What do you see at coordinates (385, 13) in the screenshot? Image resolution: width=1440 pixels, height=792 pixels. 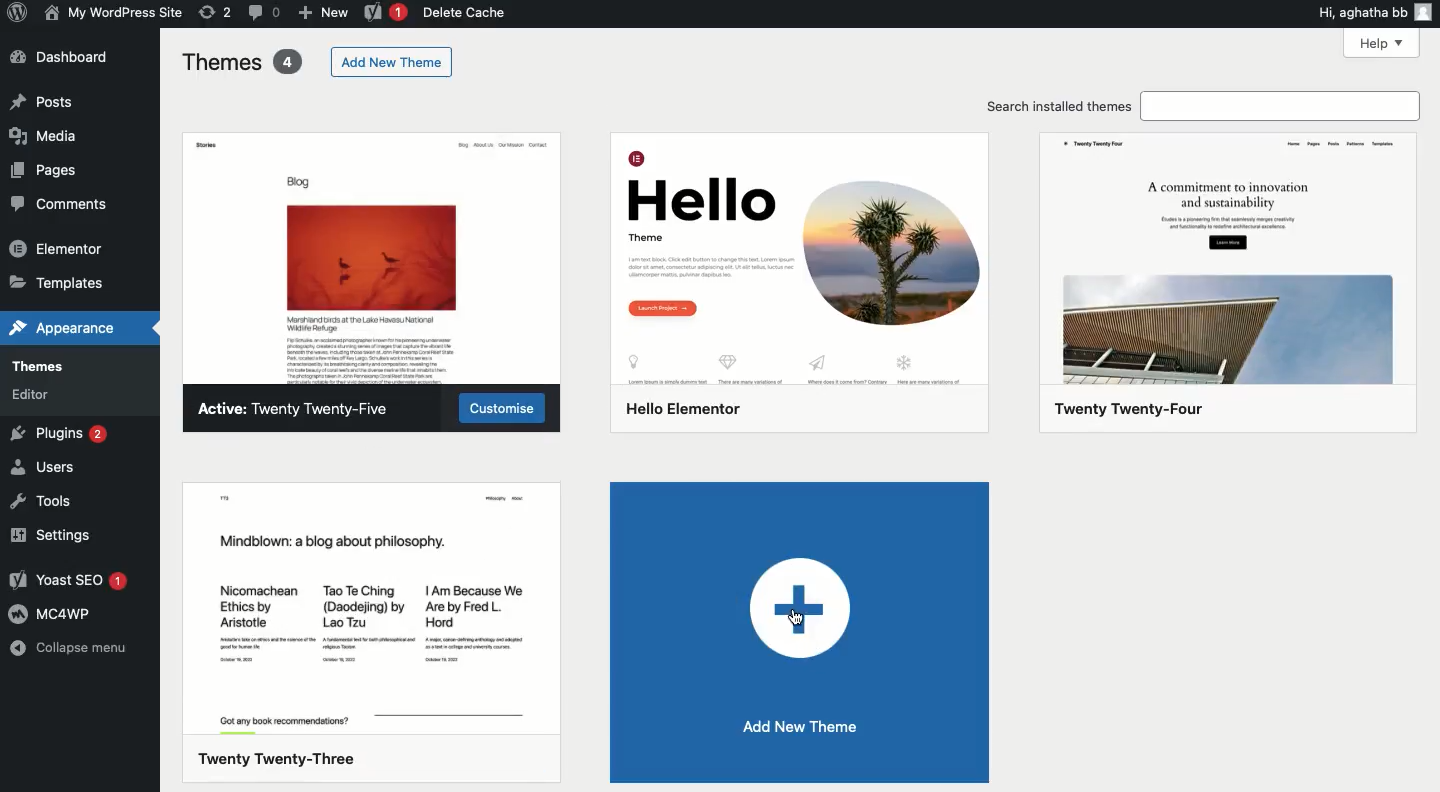 I see `Yoast 1` at bounding box center [385, 13].